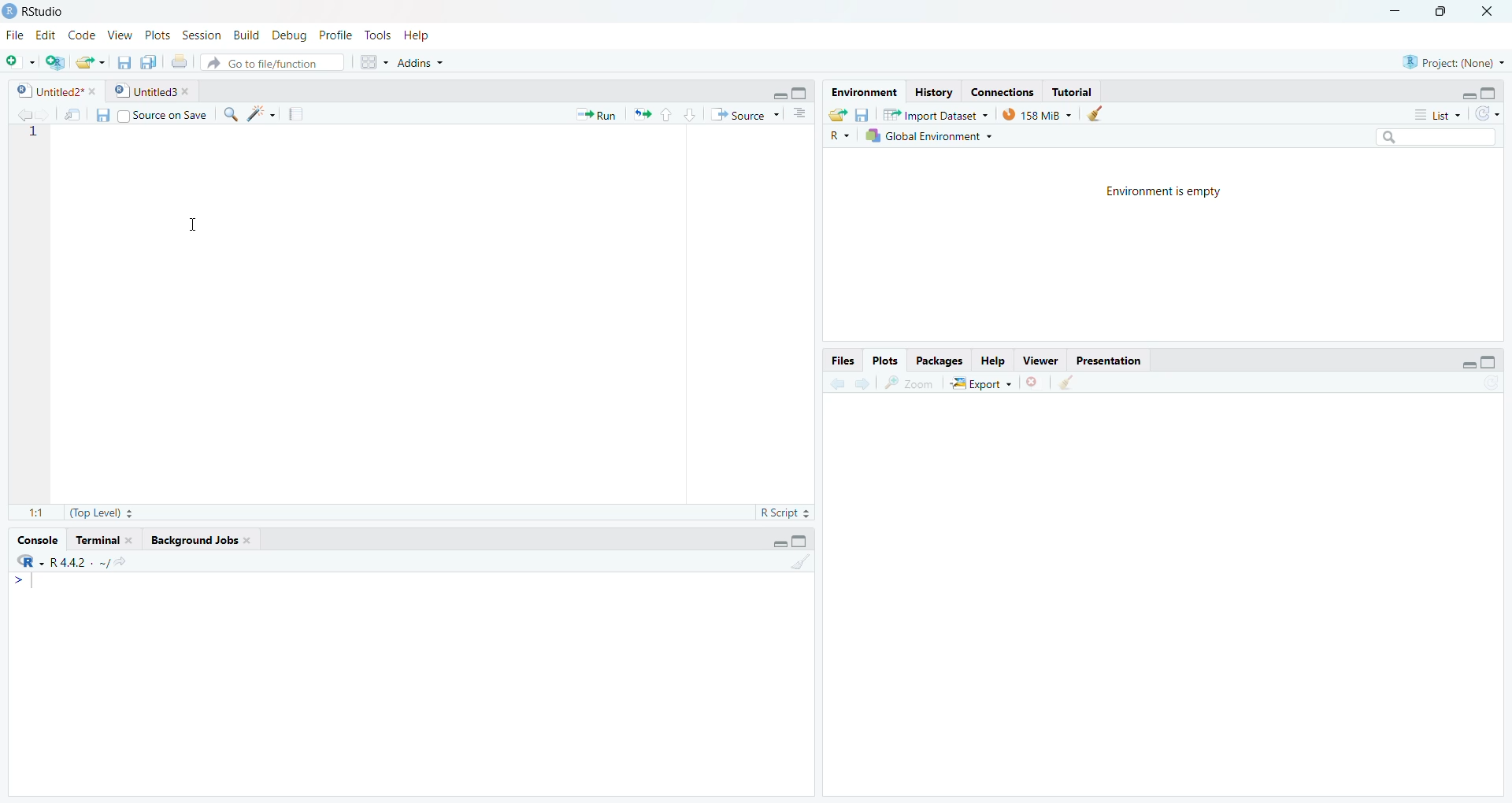 The image size is (1512, 803). What do you see at coordinates (157, 32) in the screenshot?
I see `Plots` at bounding box center [157, 32].